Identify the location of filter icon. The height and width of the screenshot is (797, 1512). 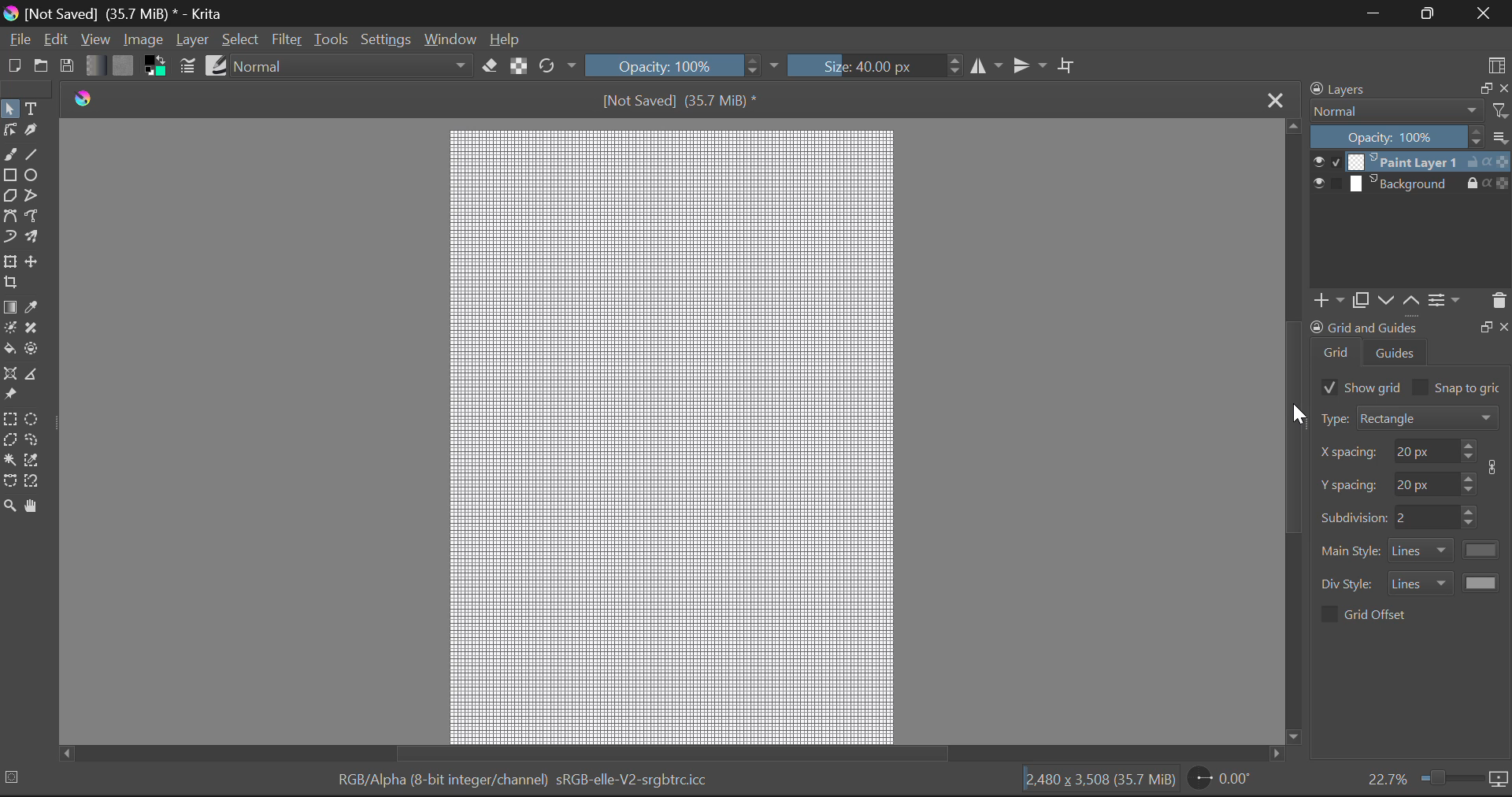
(1499, 110).